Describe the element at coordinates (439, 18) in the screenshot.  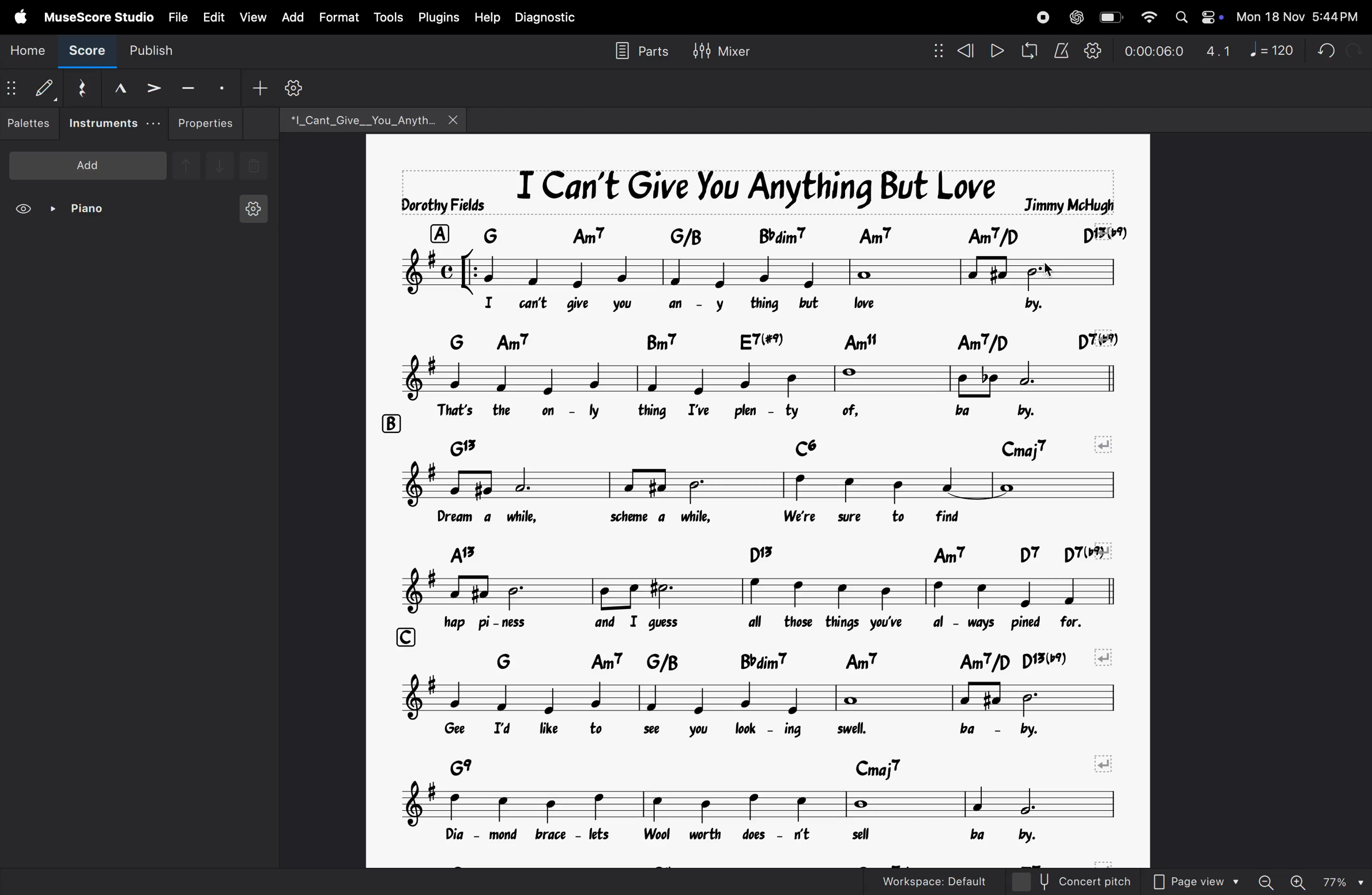
I see `plugins` at that location.